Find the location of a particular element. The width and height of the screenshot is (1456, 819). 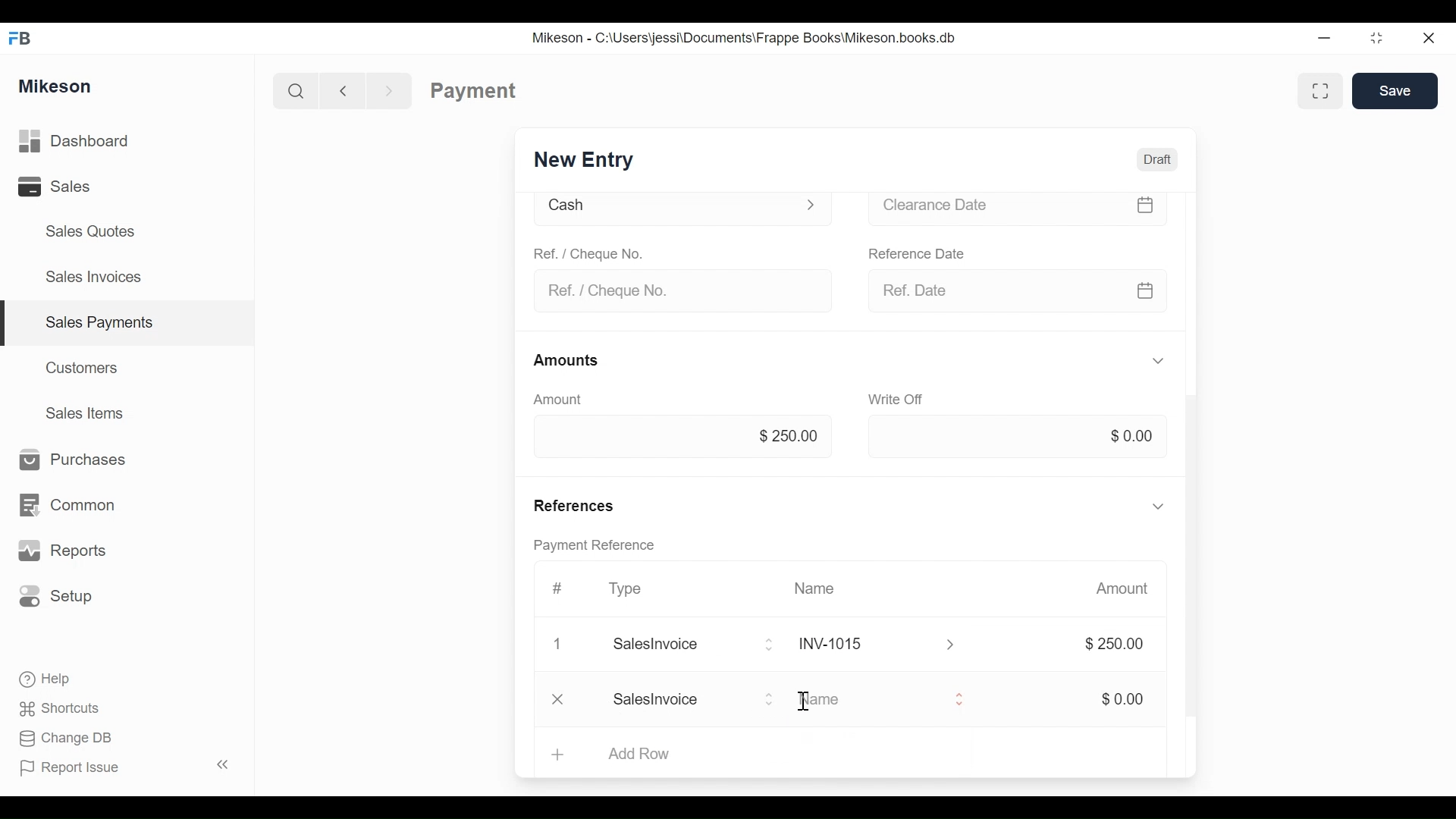

References is located at coordinates (581, 505).